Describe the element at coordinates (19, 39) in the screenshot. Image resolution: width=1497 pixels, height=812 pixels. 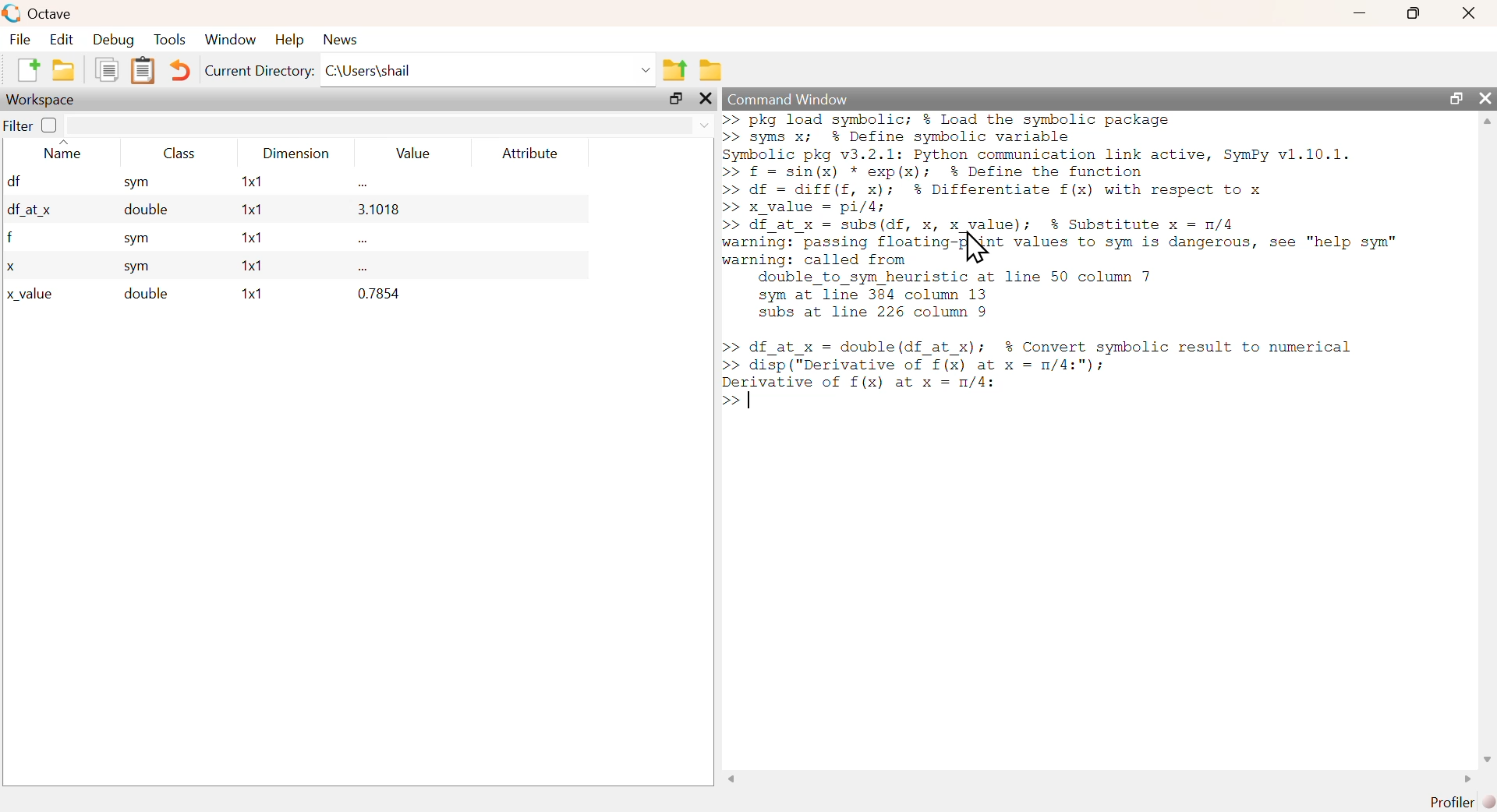
I see `File` at that location.